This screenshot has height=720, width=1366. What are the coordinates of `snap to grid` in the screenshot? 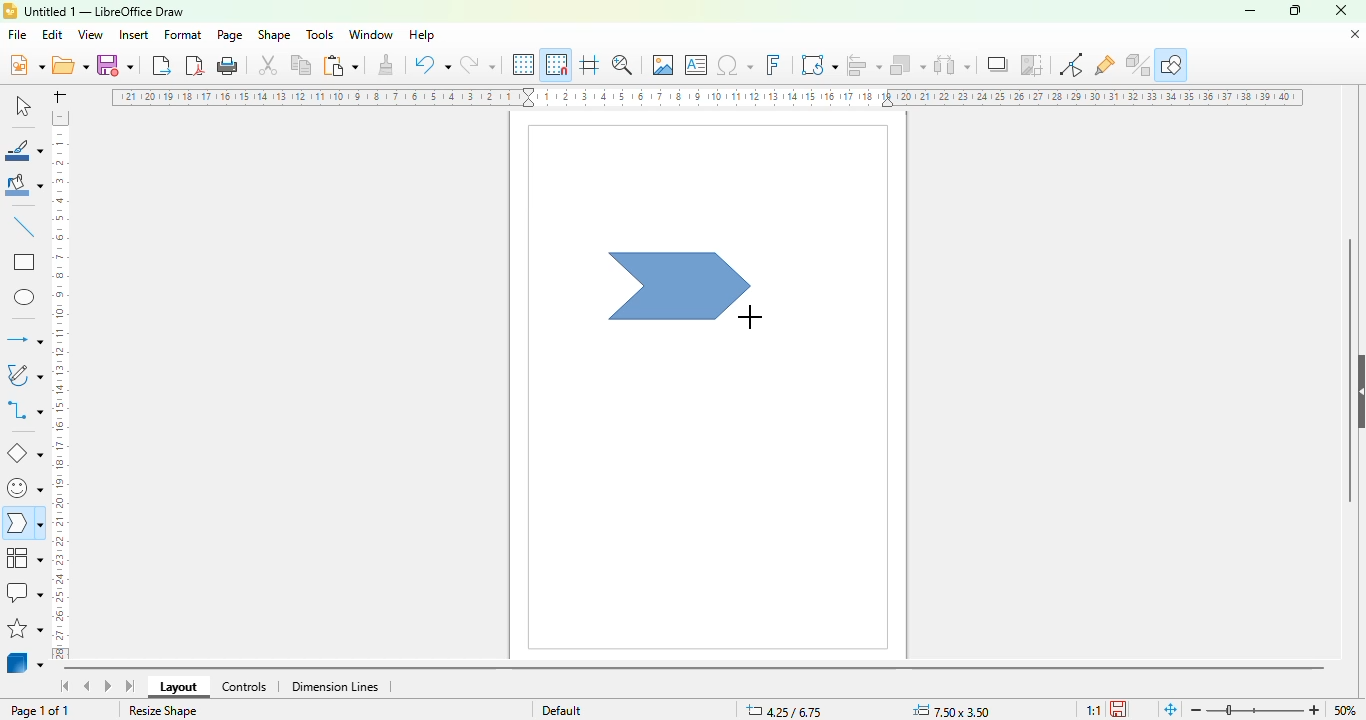 It's located at (557, 64).